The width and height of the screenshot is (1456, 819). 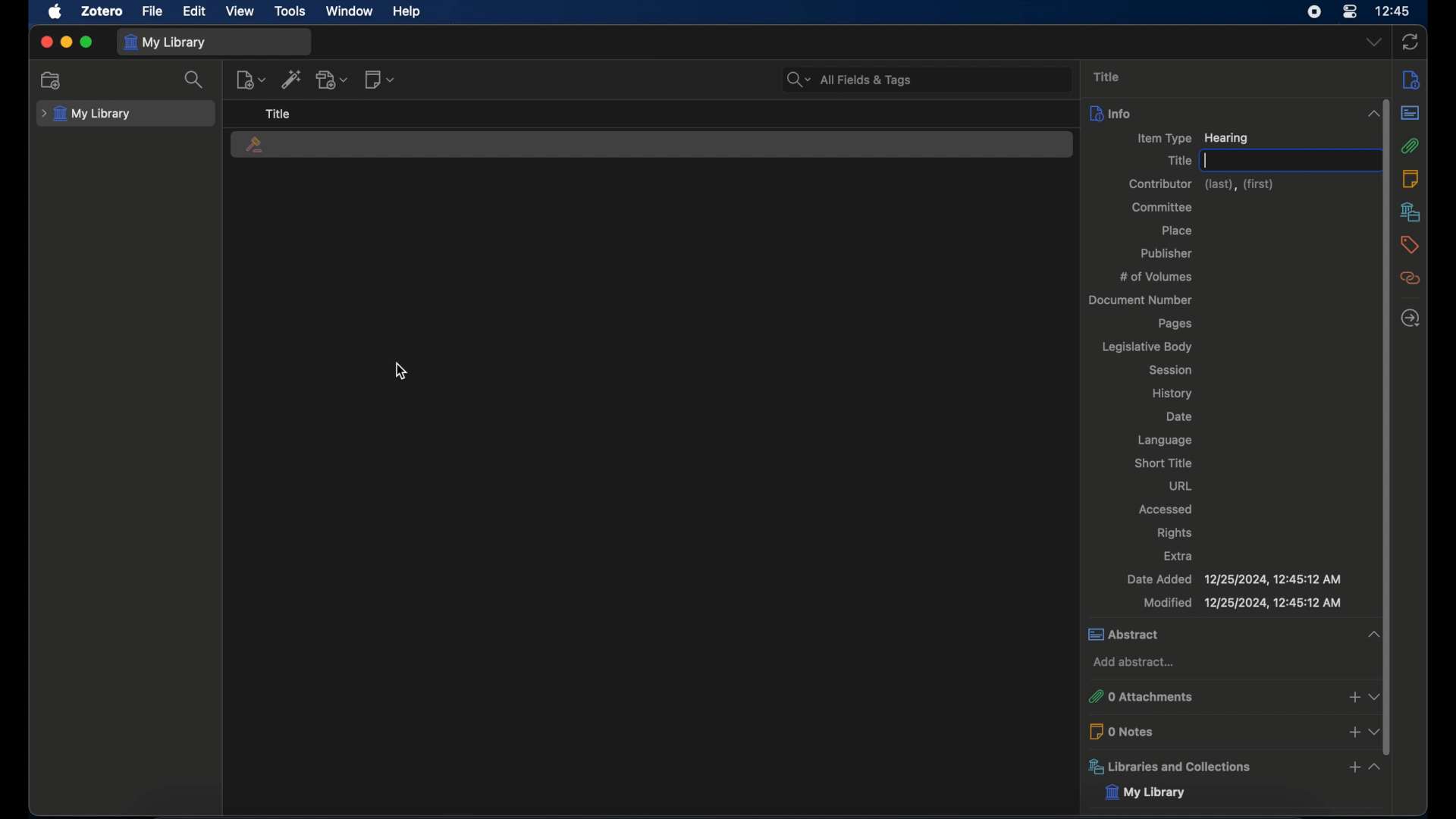 I want to click on language, so click(x=1165, y=440).